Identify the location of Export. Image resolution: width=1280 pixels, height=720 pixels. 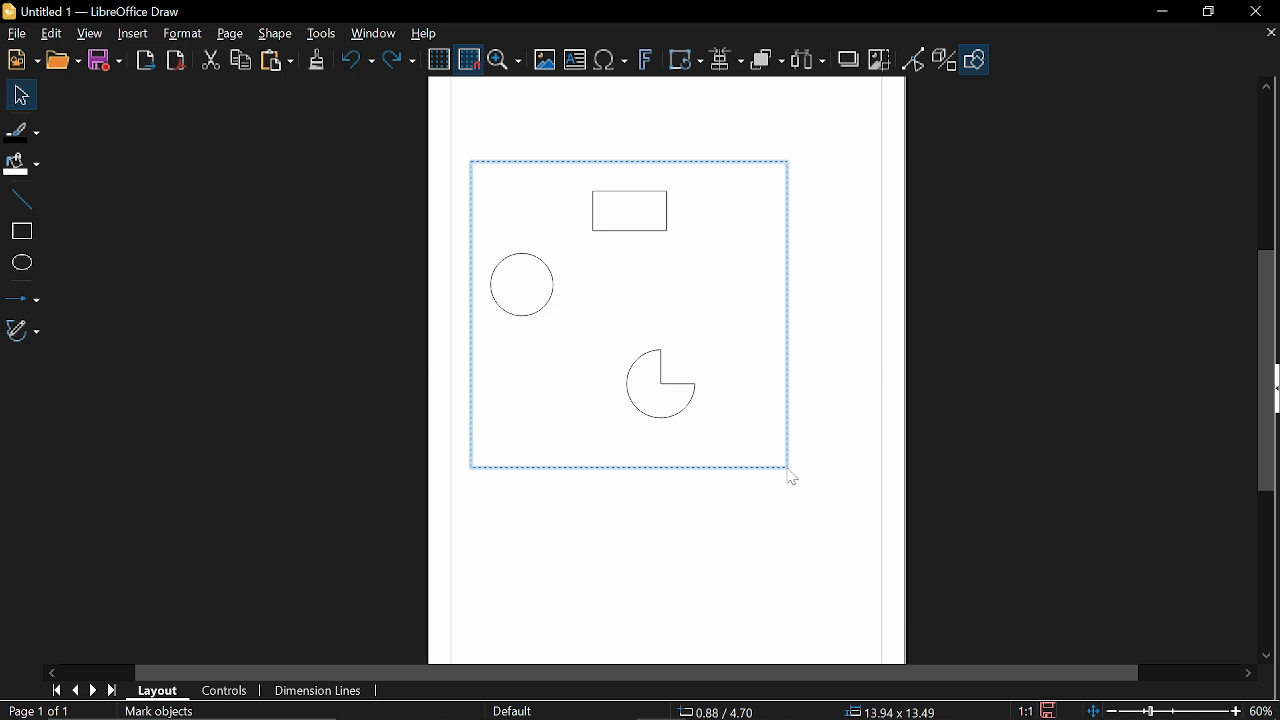
(146, 59).